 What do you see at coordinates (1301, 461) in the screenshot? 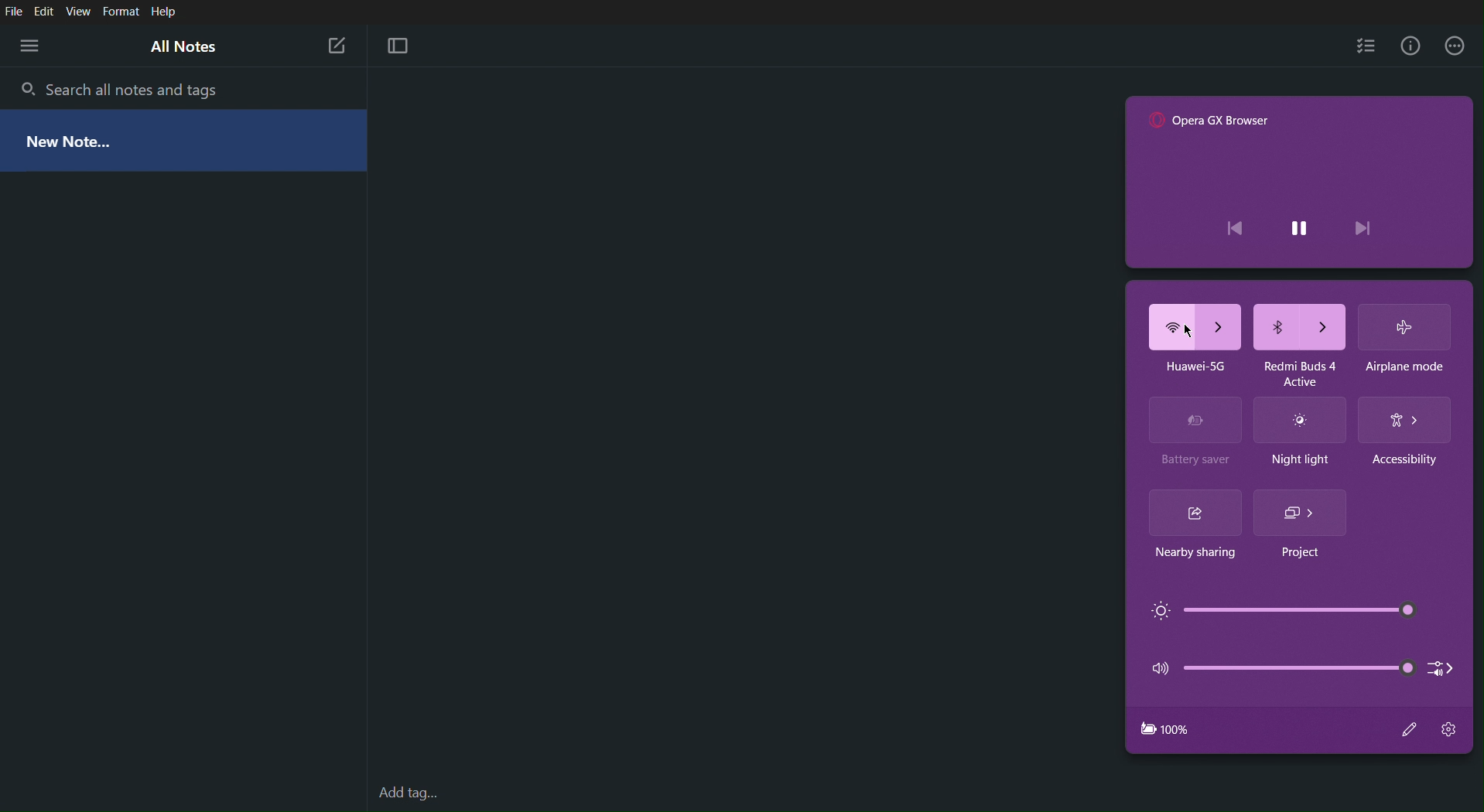
I see ` Night light` at bounding box center [1301, 461].